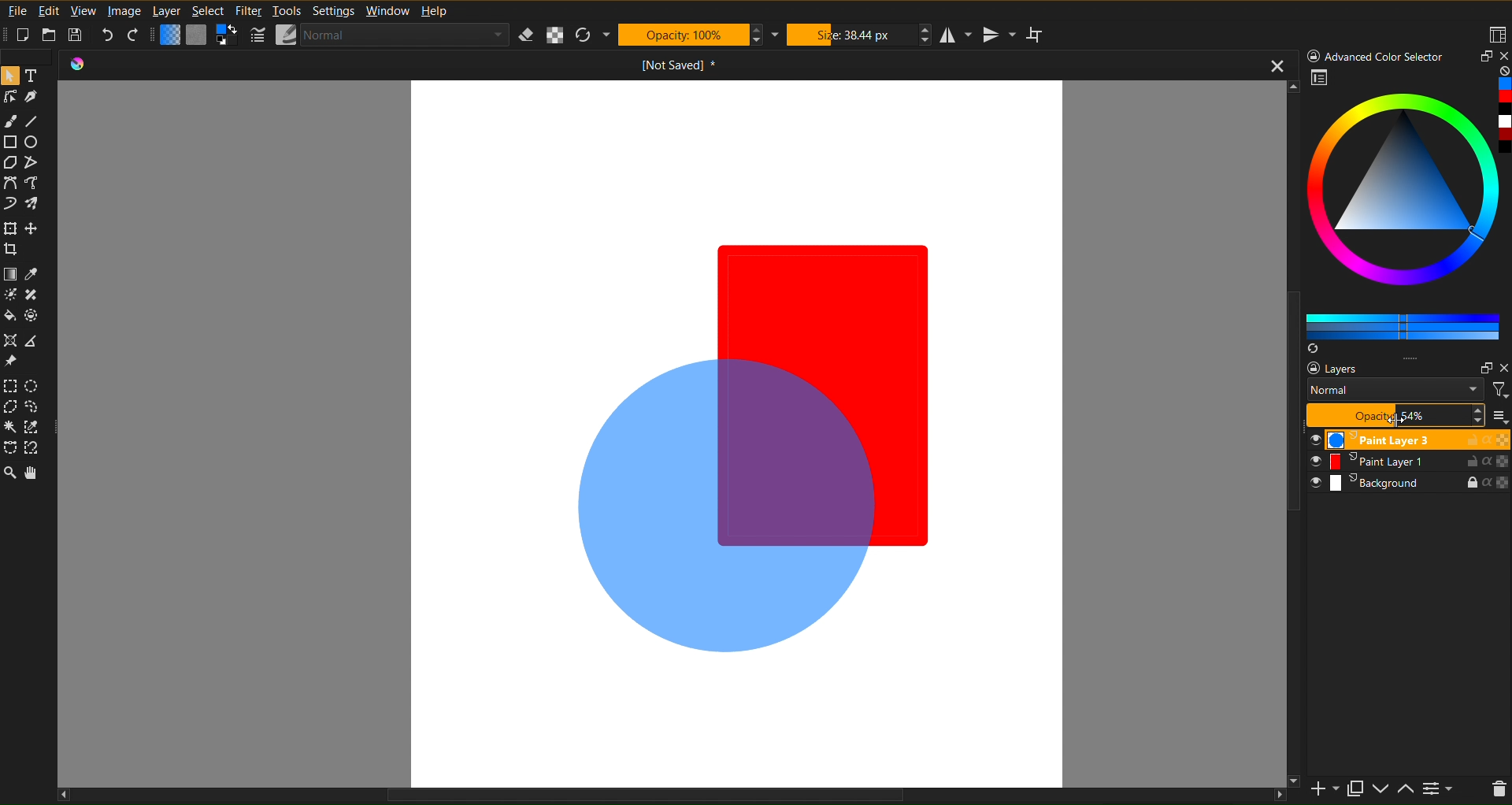 This screenshot has width=1512, height=805. What do you see at coordinates (527, 35) in the screenshot?
I see `Erase` at bounding box center [527, 35].